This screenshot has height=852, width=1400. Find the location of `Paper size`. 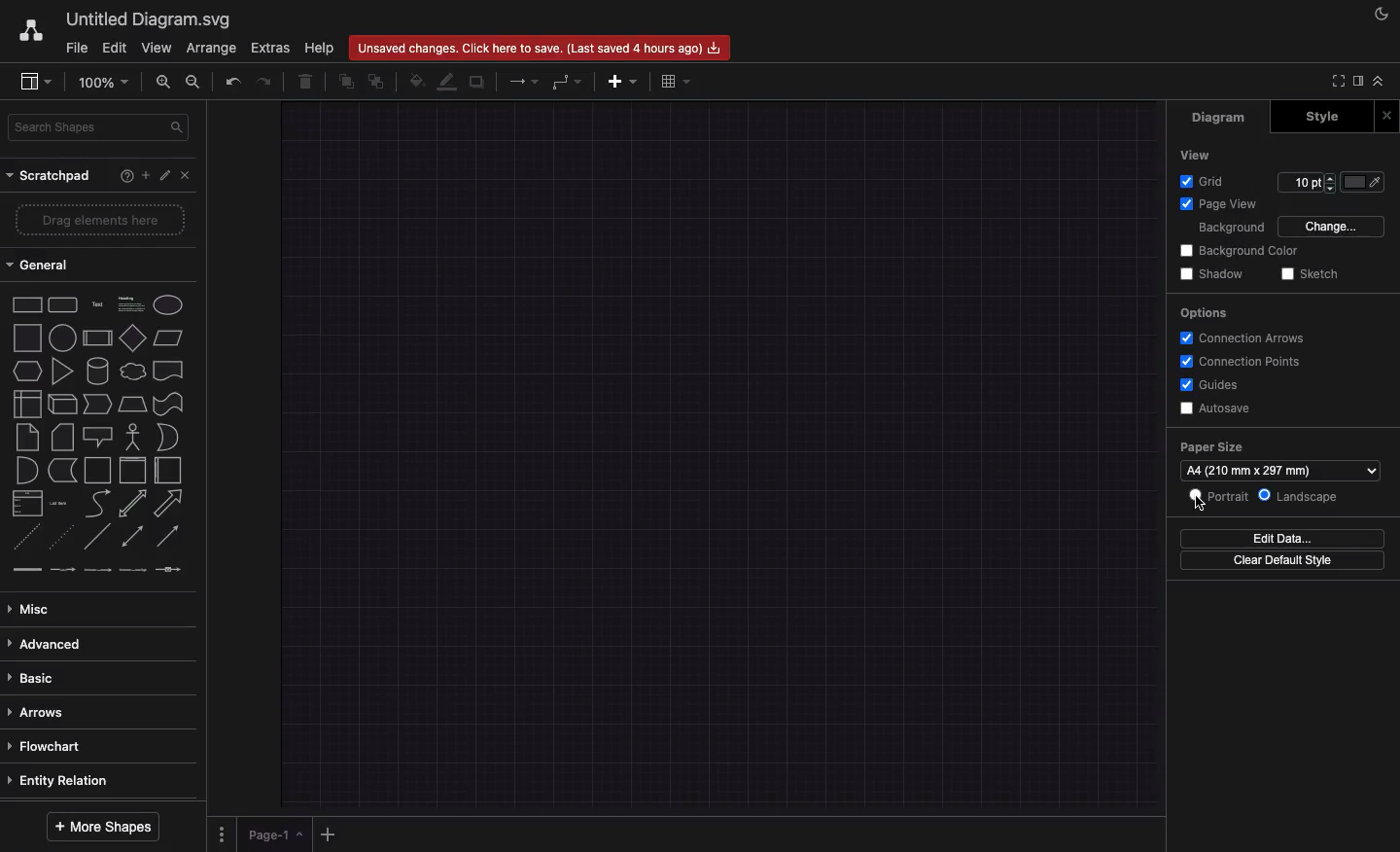

Paper size is located at coordinates (1280, 456).